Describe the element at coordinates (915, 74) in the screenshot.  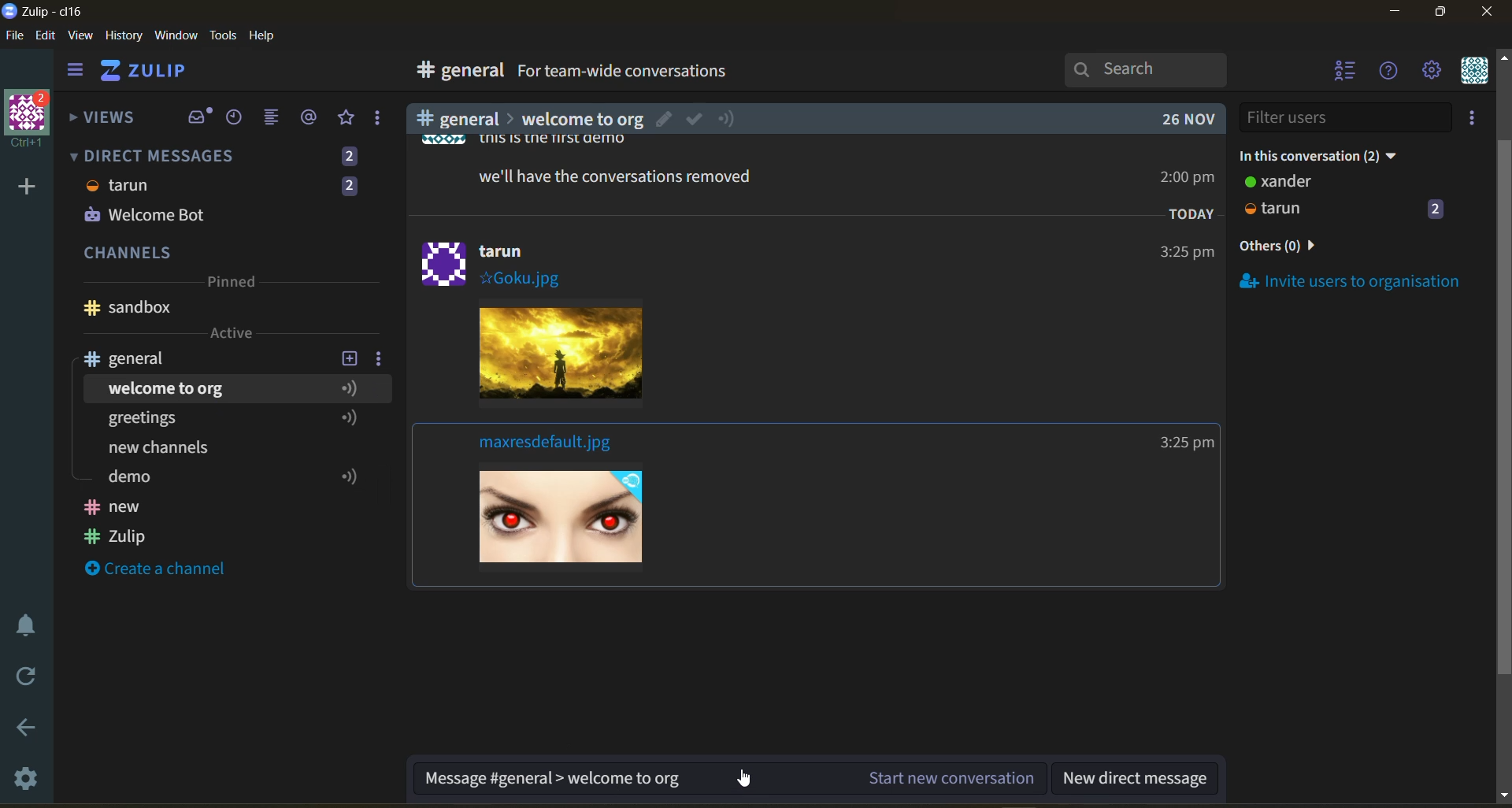
I see `help` at that location.